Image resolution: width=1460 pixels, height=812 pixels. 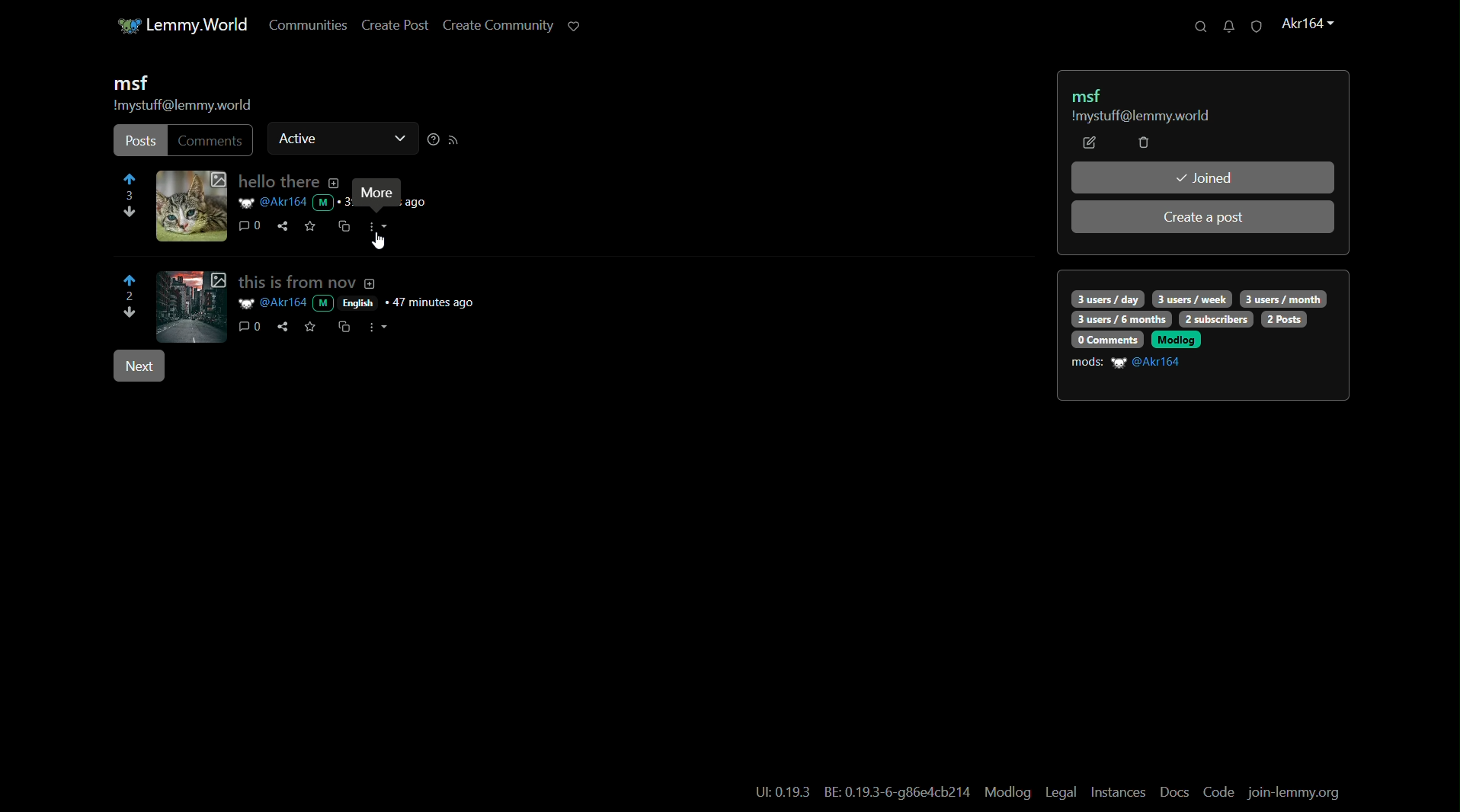 I want to click on post title, so click(x=286, y=182).